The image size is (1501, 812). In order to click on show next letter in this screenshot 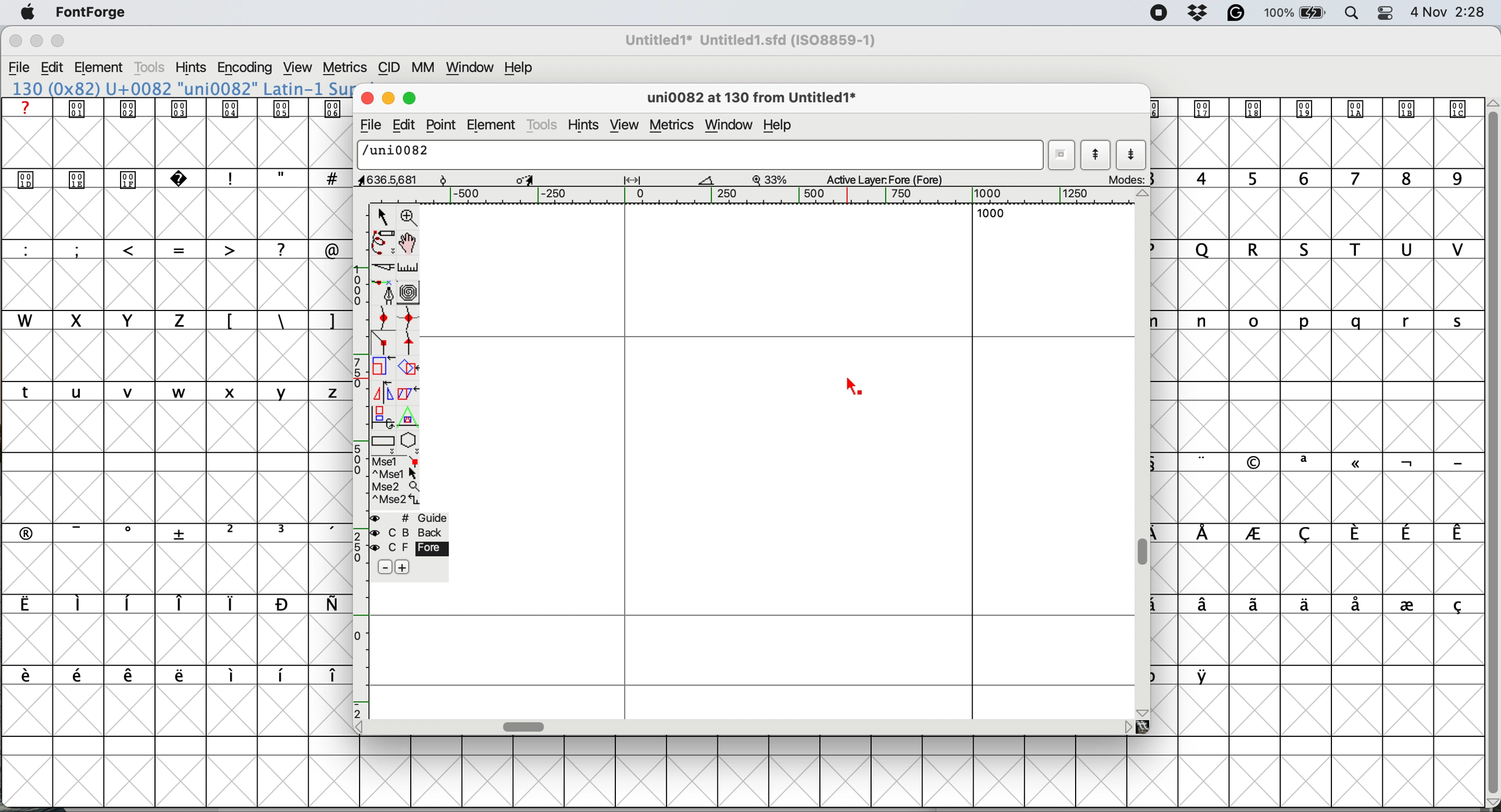, I will do `click(1132, 156)`.